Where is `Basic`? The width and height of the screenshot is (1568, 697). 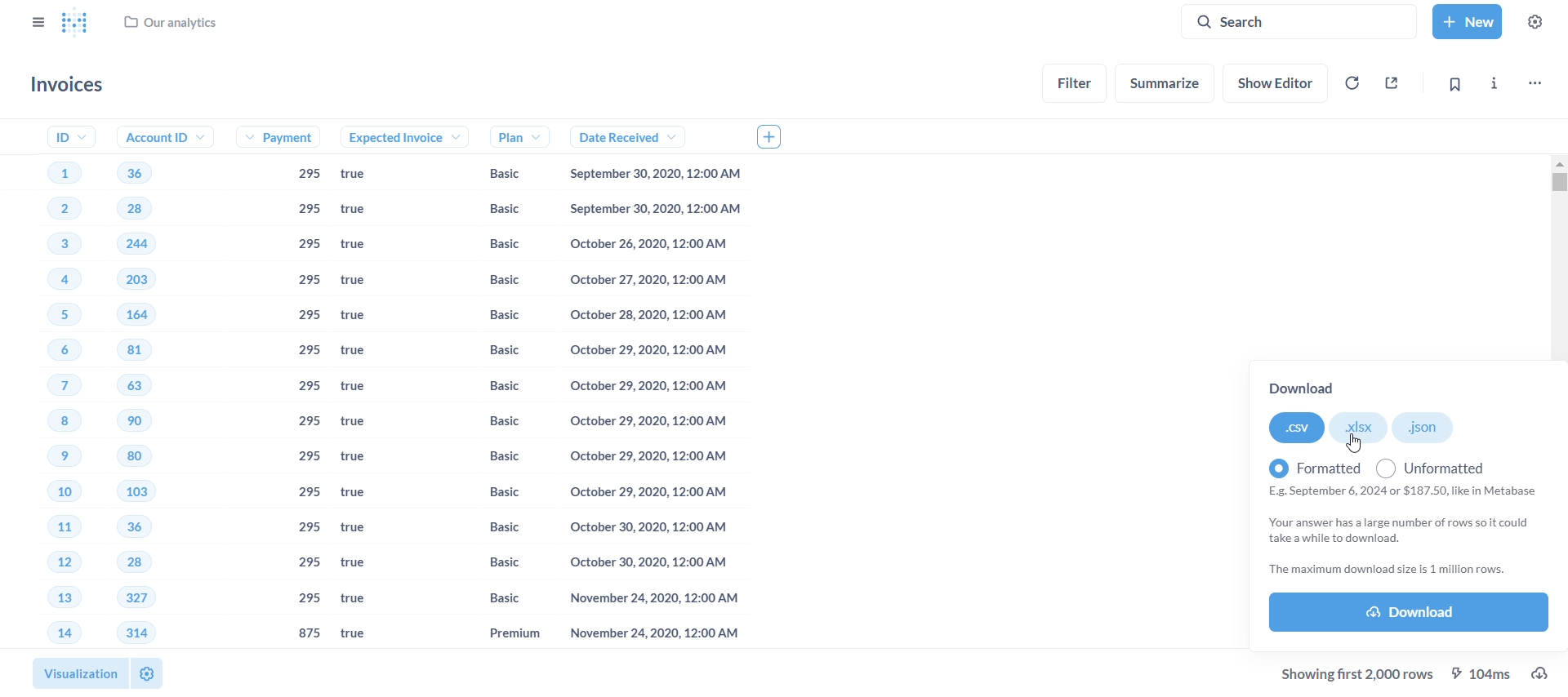 Basic is located at coordinates (493, 315).